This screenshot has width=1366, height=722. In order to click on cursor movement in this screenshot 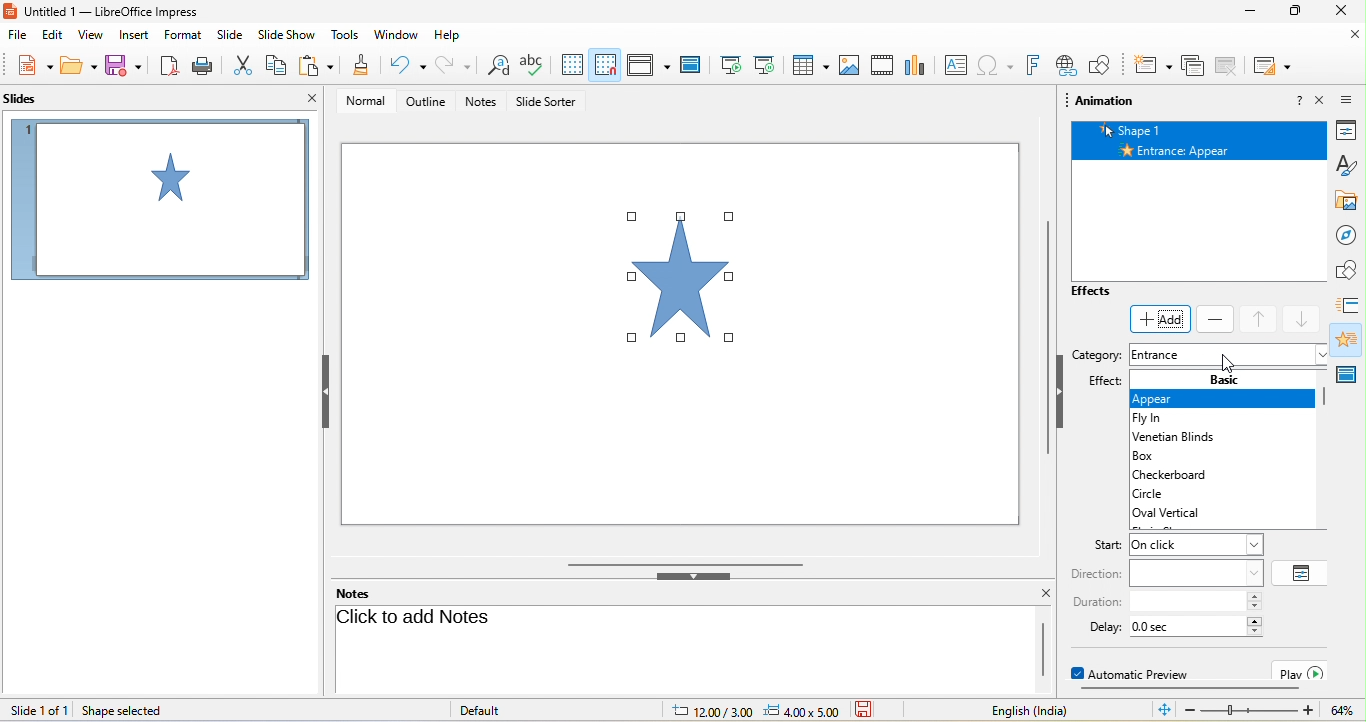, I will do `click(1233, 362)`.